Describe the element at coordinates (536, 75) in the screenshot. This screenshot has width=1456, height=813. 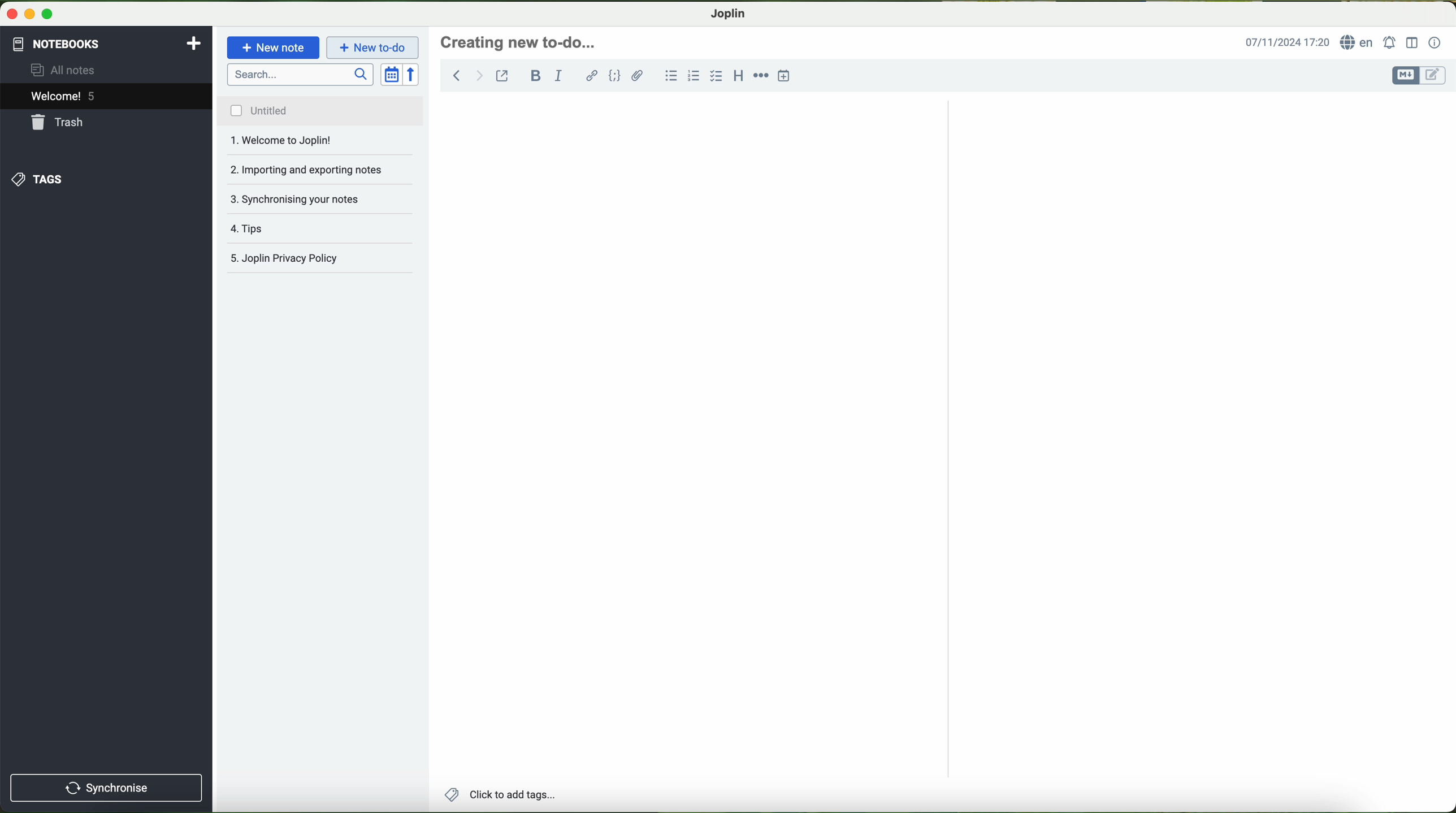
I see `bold` at that location.